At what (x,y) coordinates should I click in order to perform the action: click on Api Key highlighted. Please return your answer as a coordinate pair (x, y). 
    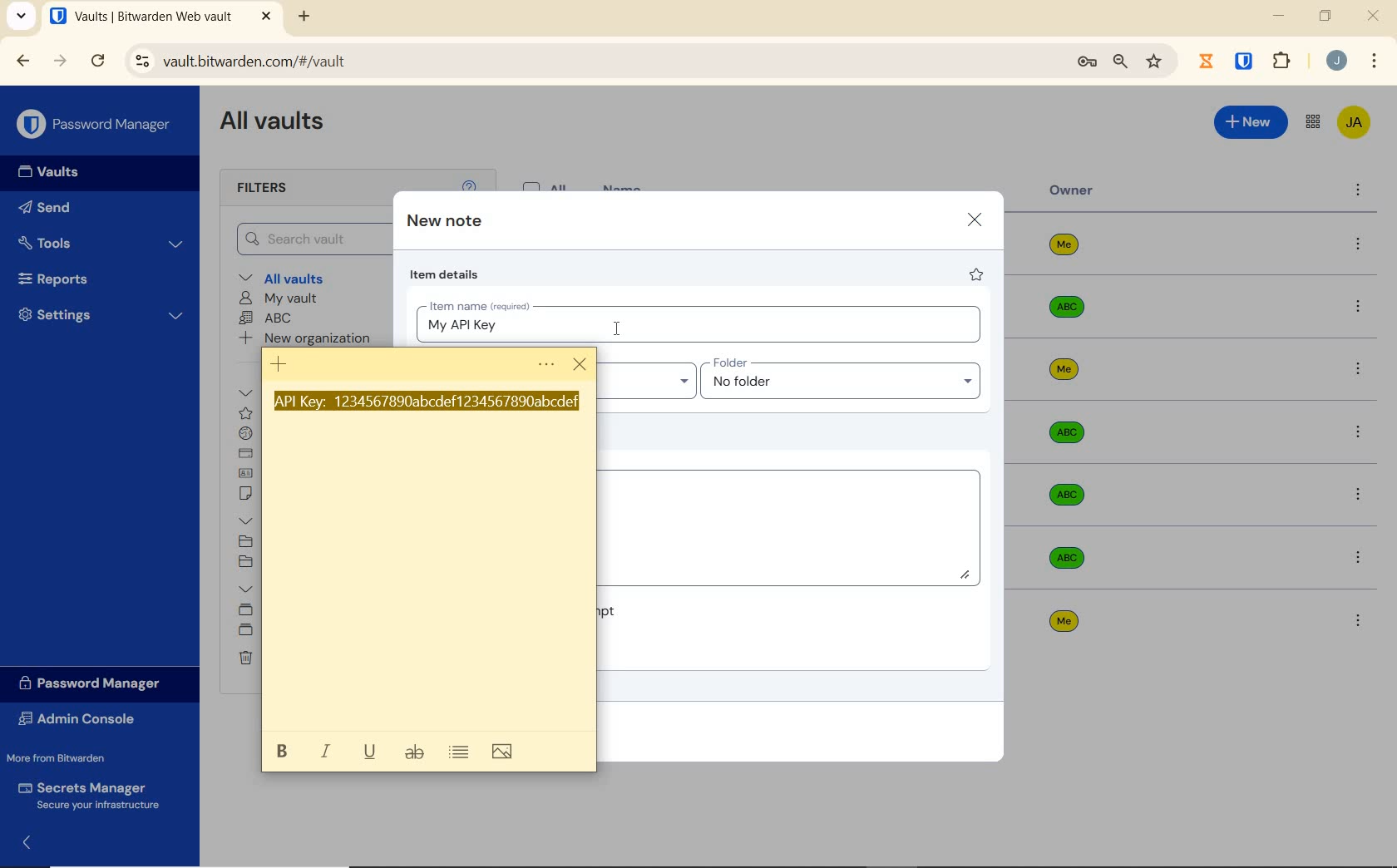
    Looking at the image, I should click on (428, 401).